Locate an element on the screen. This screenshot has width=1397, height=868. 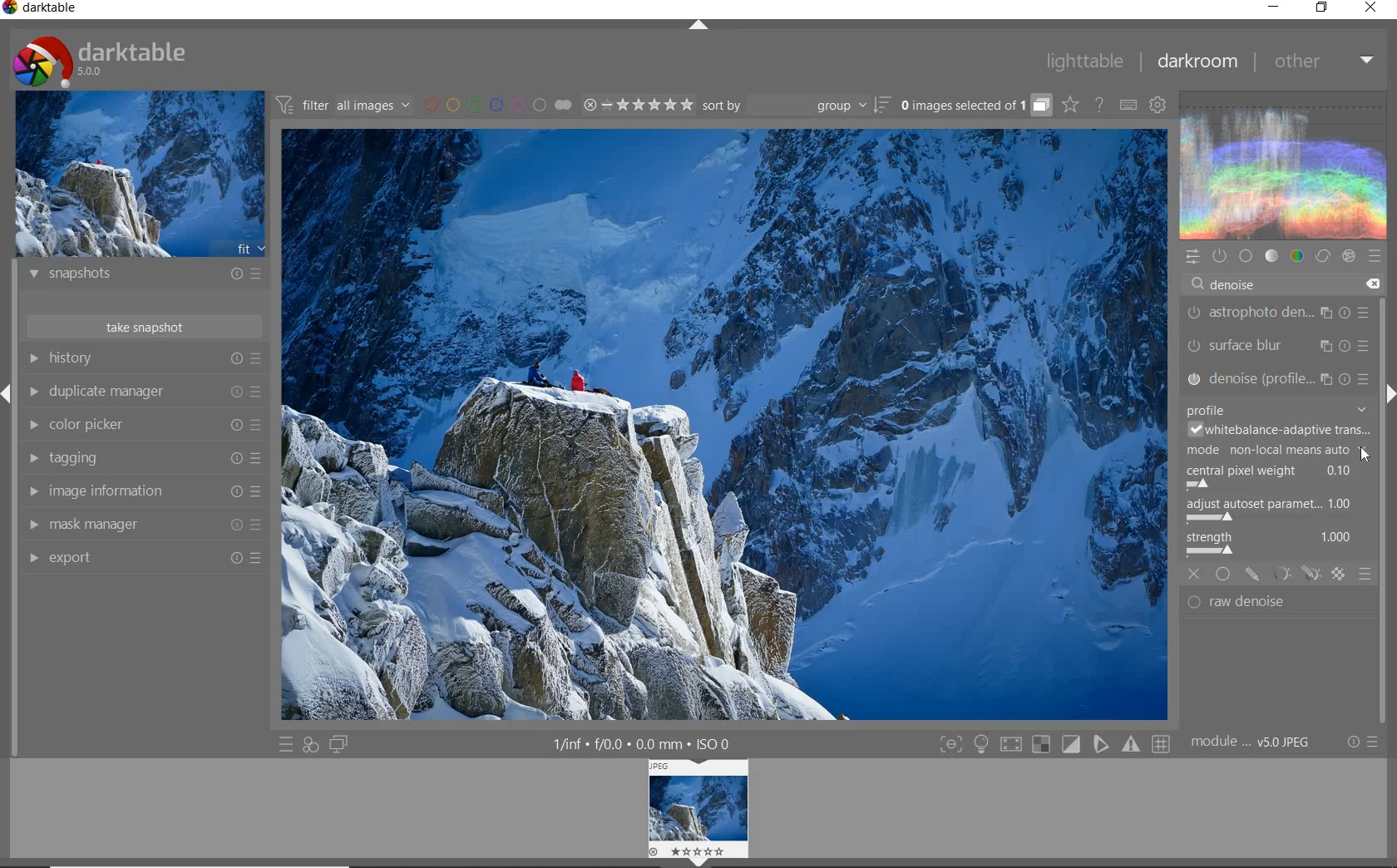
quick access panel is located at coordinates (1191, 257).